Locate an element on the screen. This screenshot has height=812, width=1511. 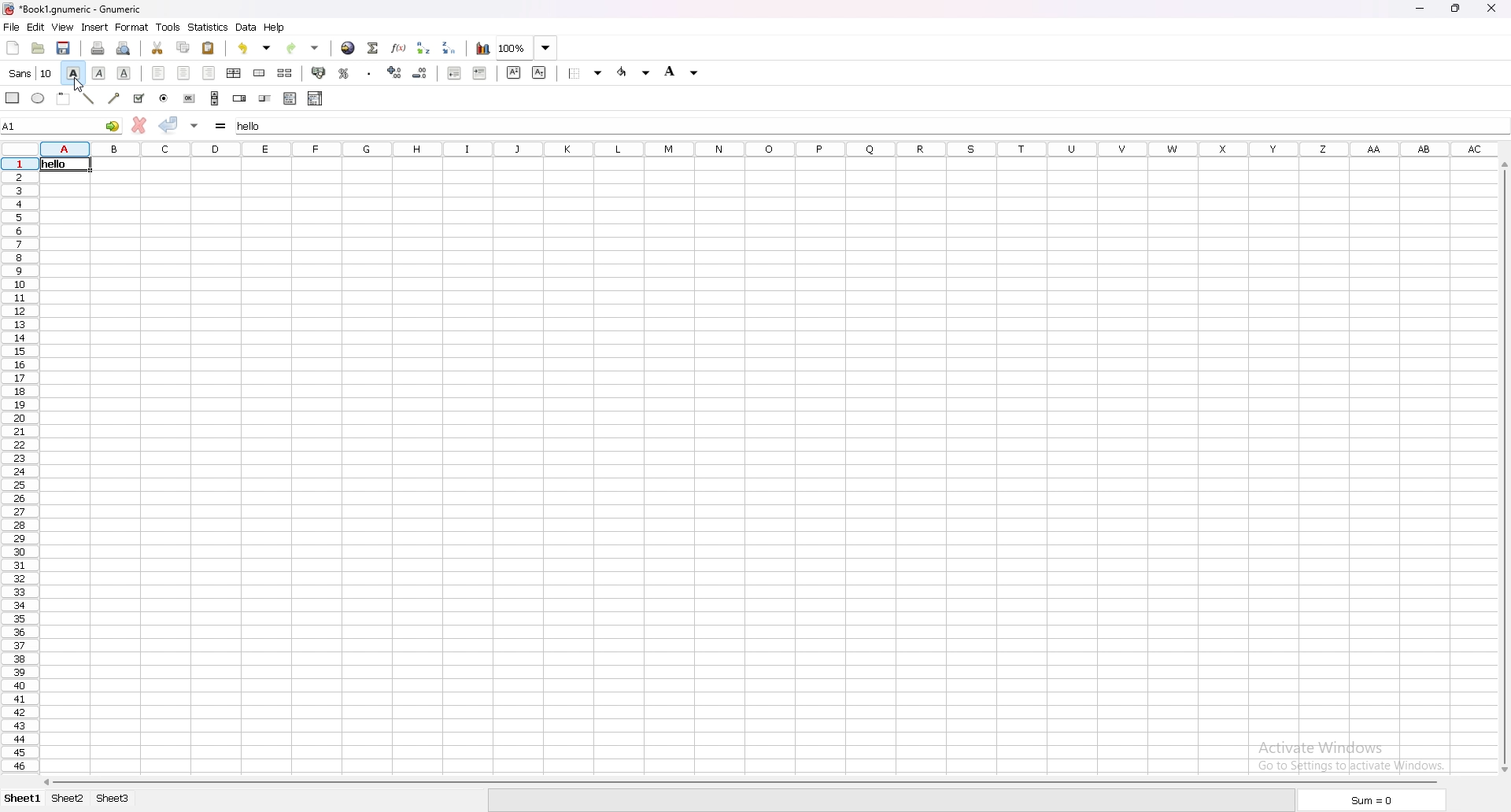
button is located at coordinates (187, 98).